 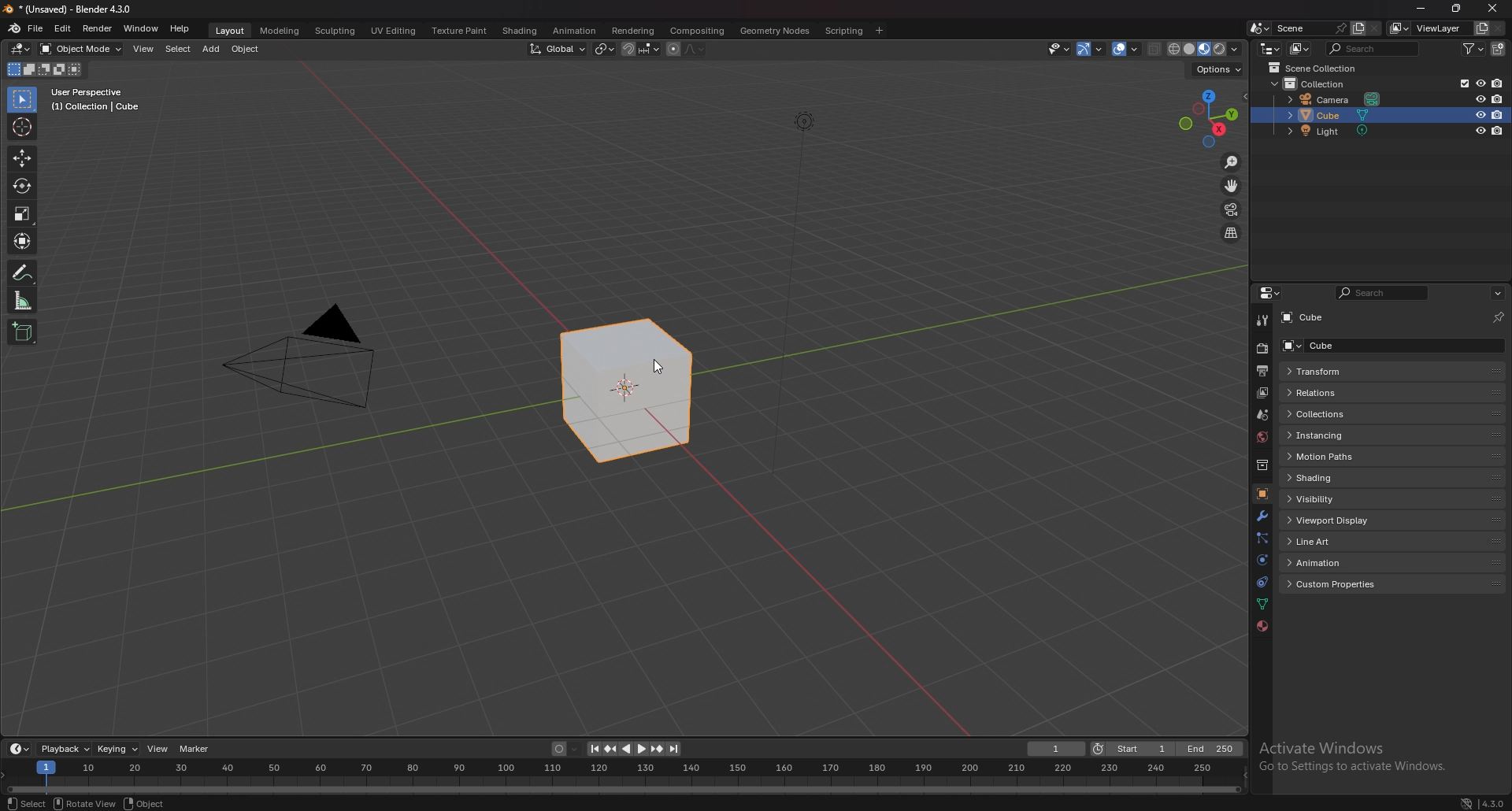 I want to click on collection, so click(x=1261, y=465).